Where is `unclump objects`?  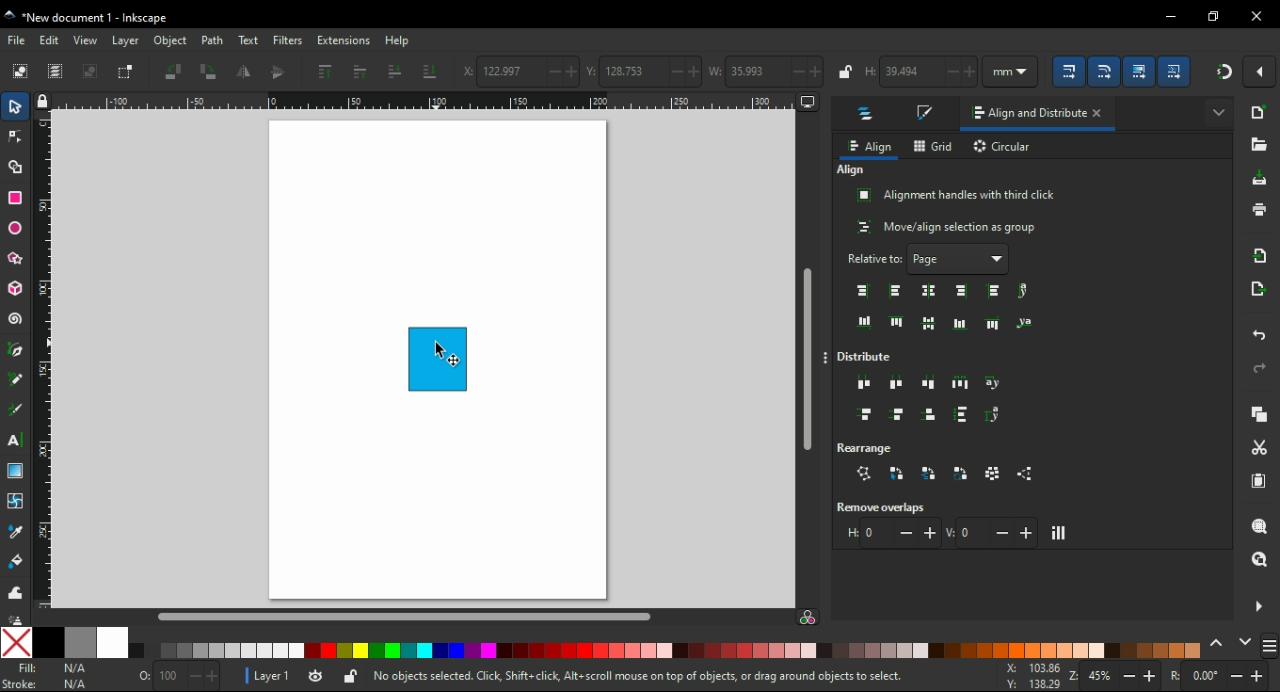 unclump objects is located at coordinates (1024, 473).